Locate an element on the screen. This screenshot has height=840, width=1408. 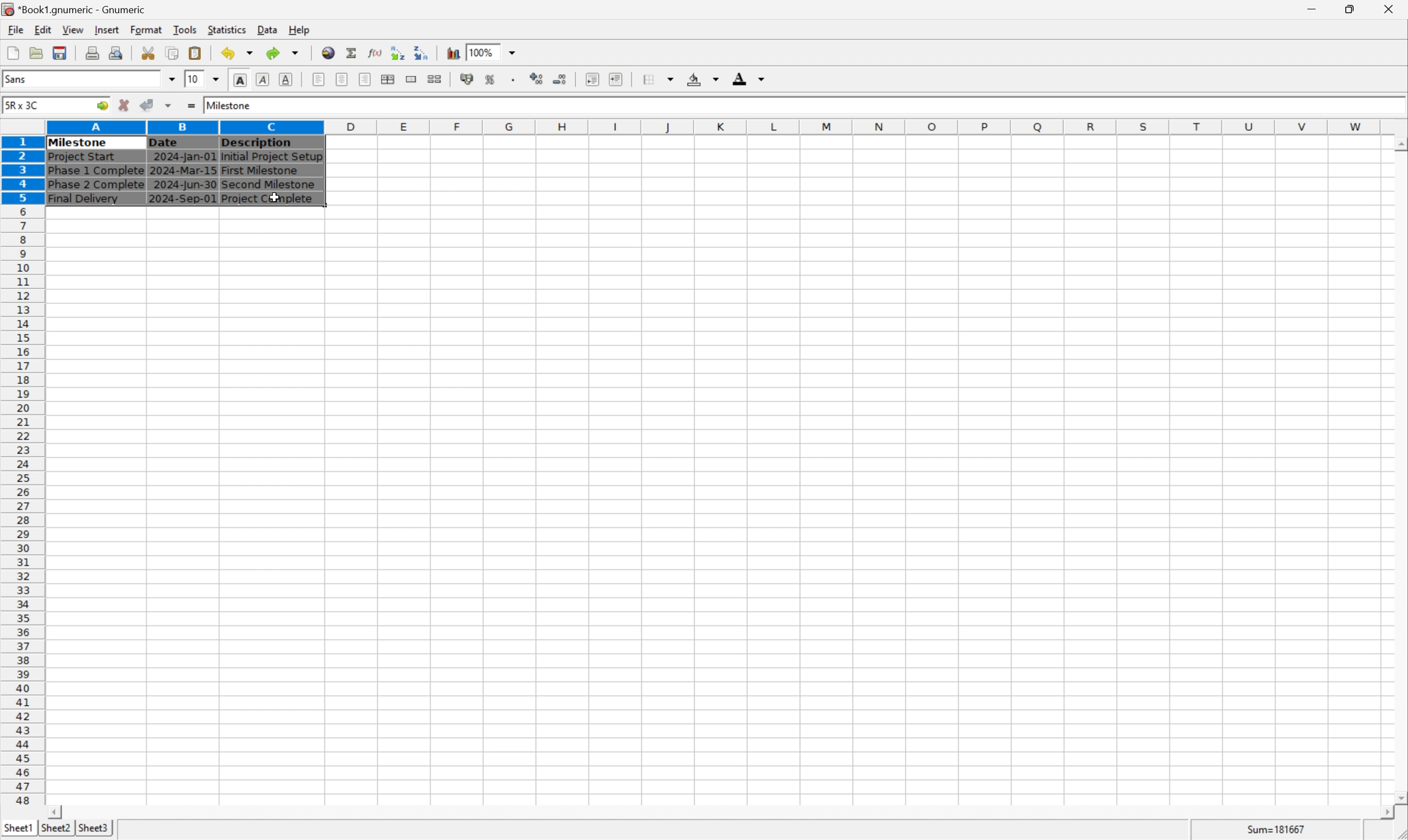
Sans is located at coordinates (19, 78).